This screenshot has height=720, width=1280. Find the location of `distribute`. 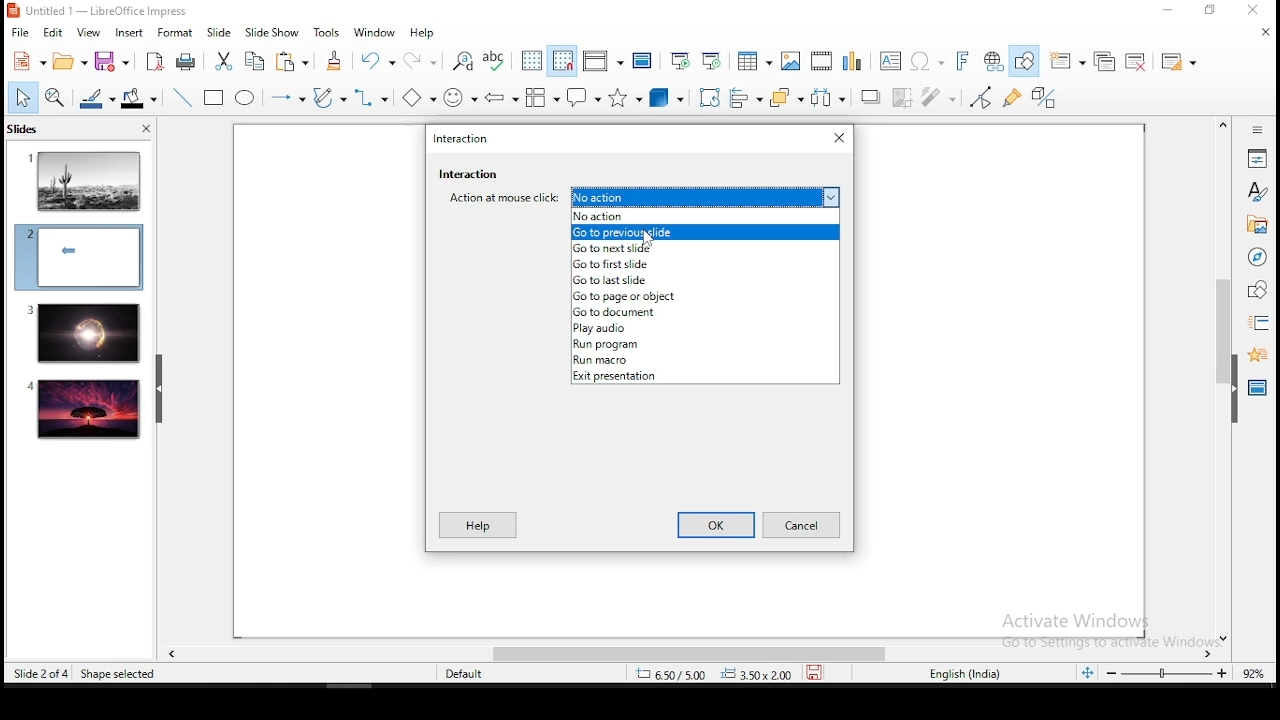

distribute is located at coordinates (830, 98).